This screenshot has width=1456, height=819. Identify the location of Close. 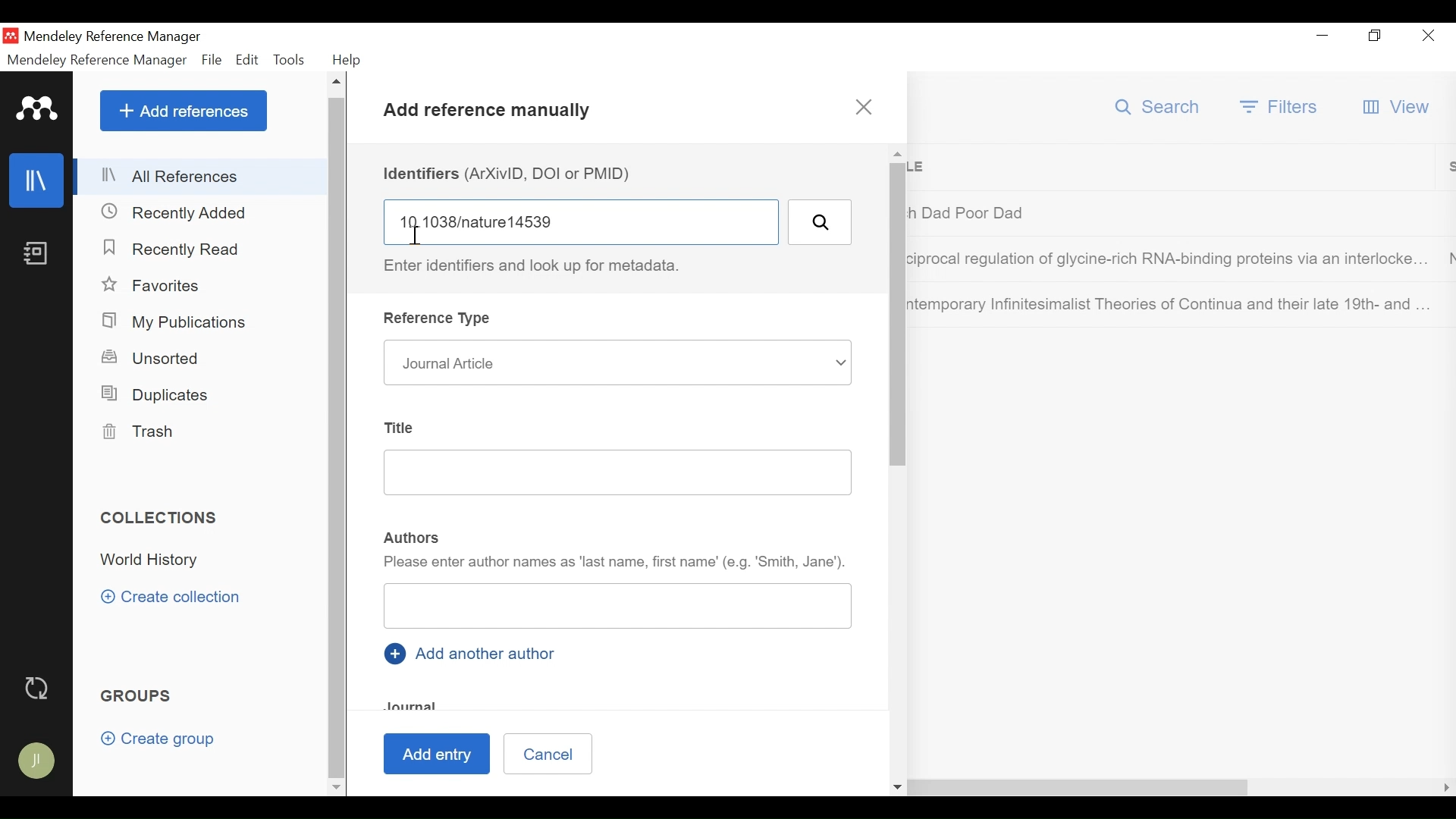
(864, 108).